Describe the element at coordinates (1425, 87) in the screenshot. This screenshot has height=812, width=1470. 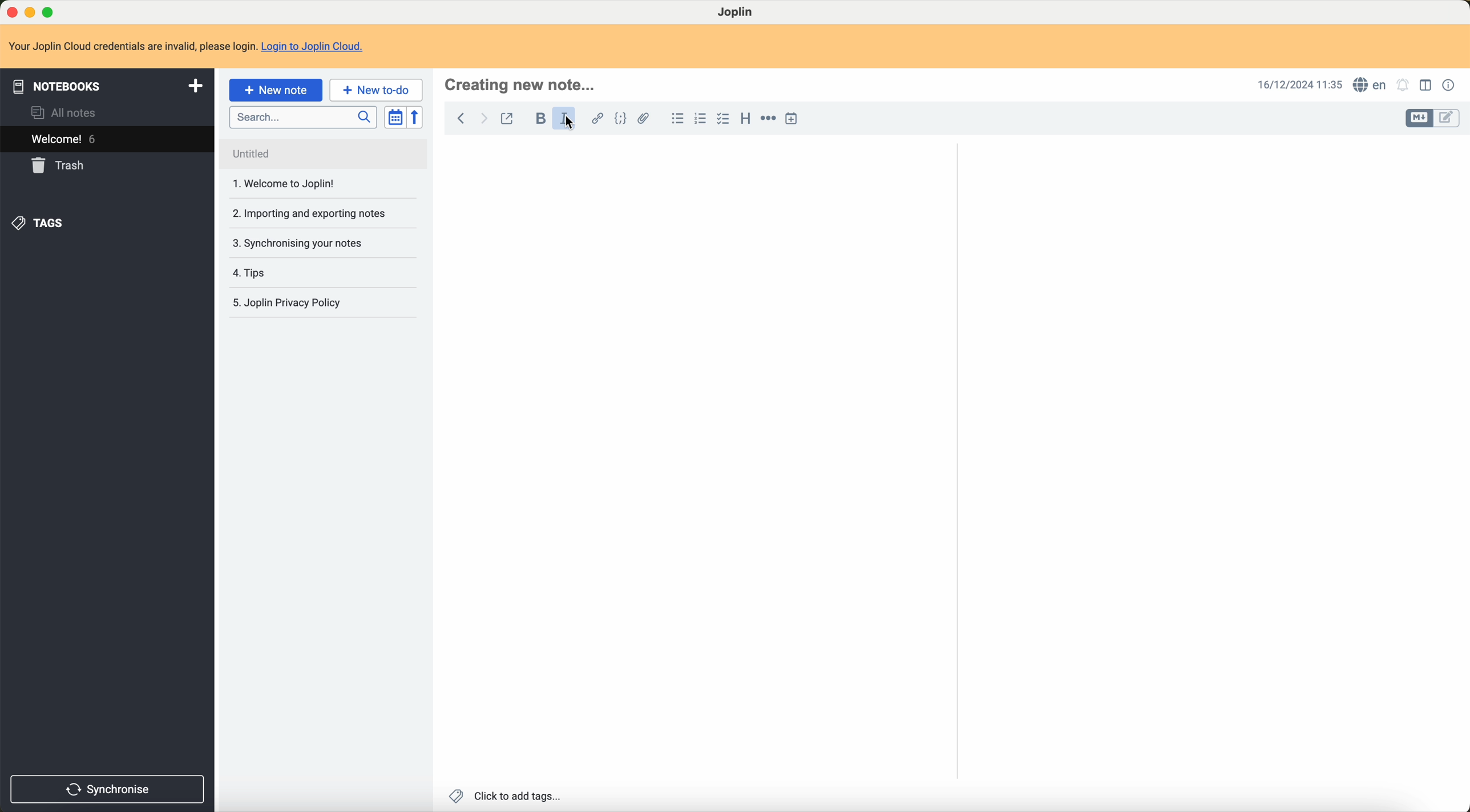
I see `toggle editor layout` at that location.